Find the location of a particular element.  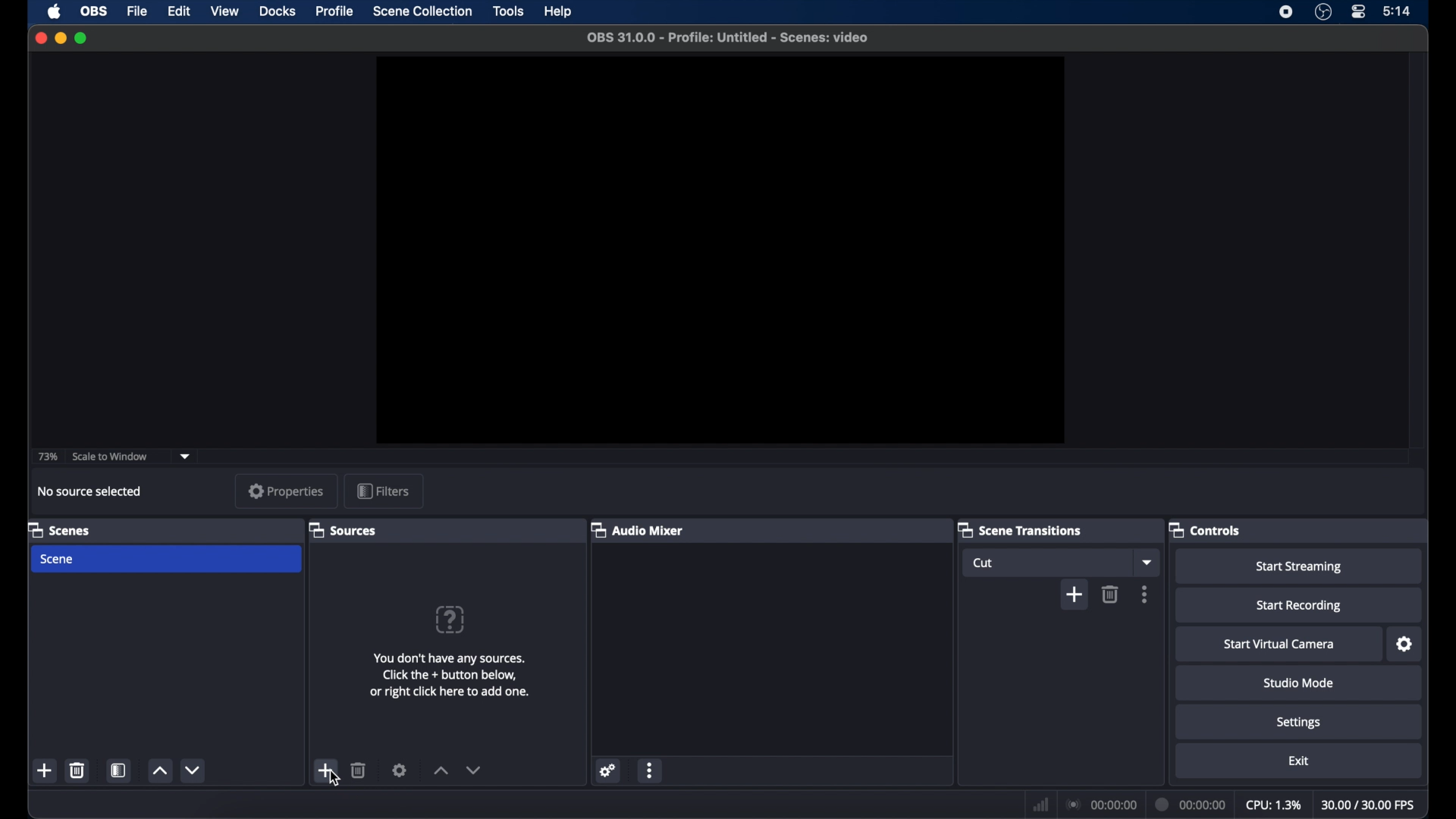

connection is located at coordinates (1101, 805).